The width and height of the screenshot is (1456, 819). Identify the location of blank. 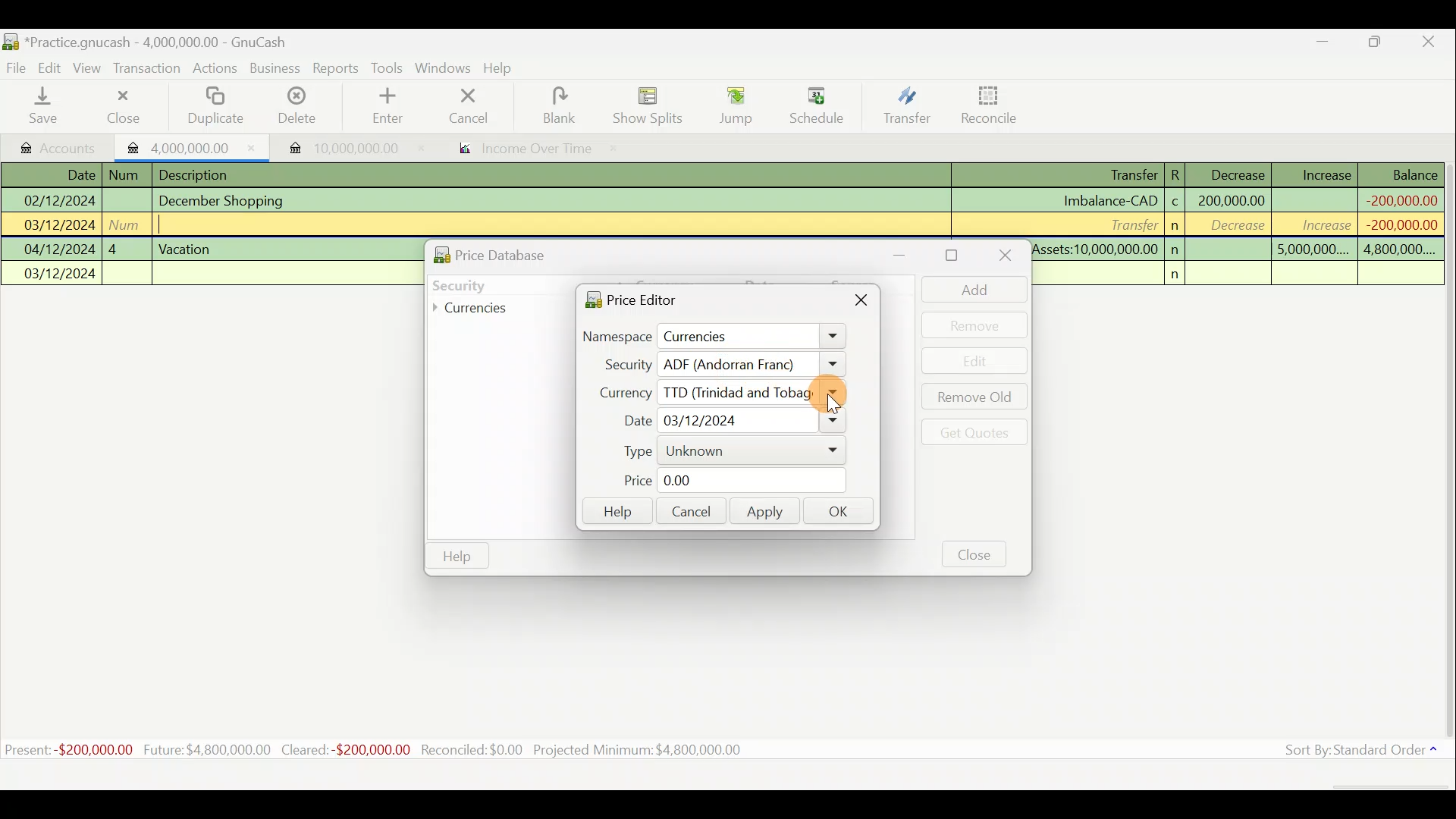
(570, 105).